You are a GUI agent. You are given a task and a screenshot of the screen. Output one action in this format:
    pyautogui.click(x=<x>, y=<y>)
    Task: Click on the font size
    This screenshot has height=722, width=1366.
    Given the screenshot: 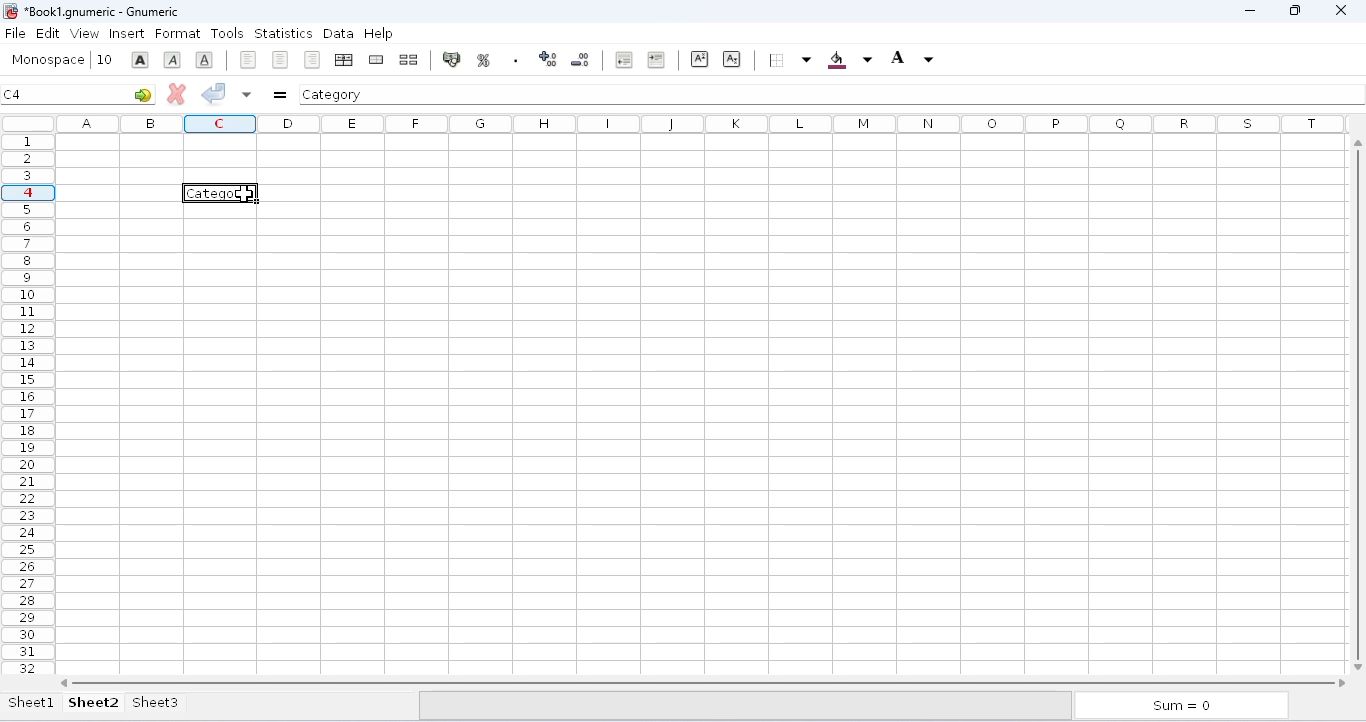 What is the action you would take?
    pyautogui.click(x=104, y=59)
    